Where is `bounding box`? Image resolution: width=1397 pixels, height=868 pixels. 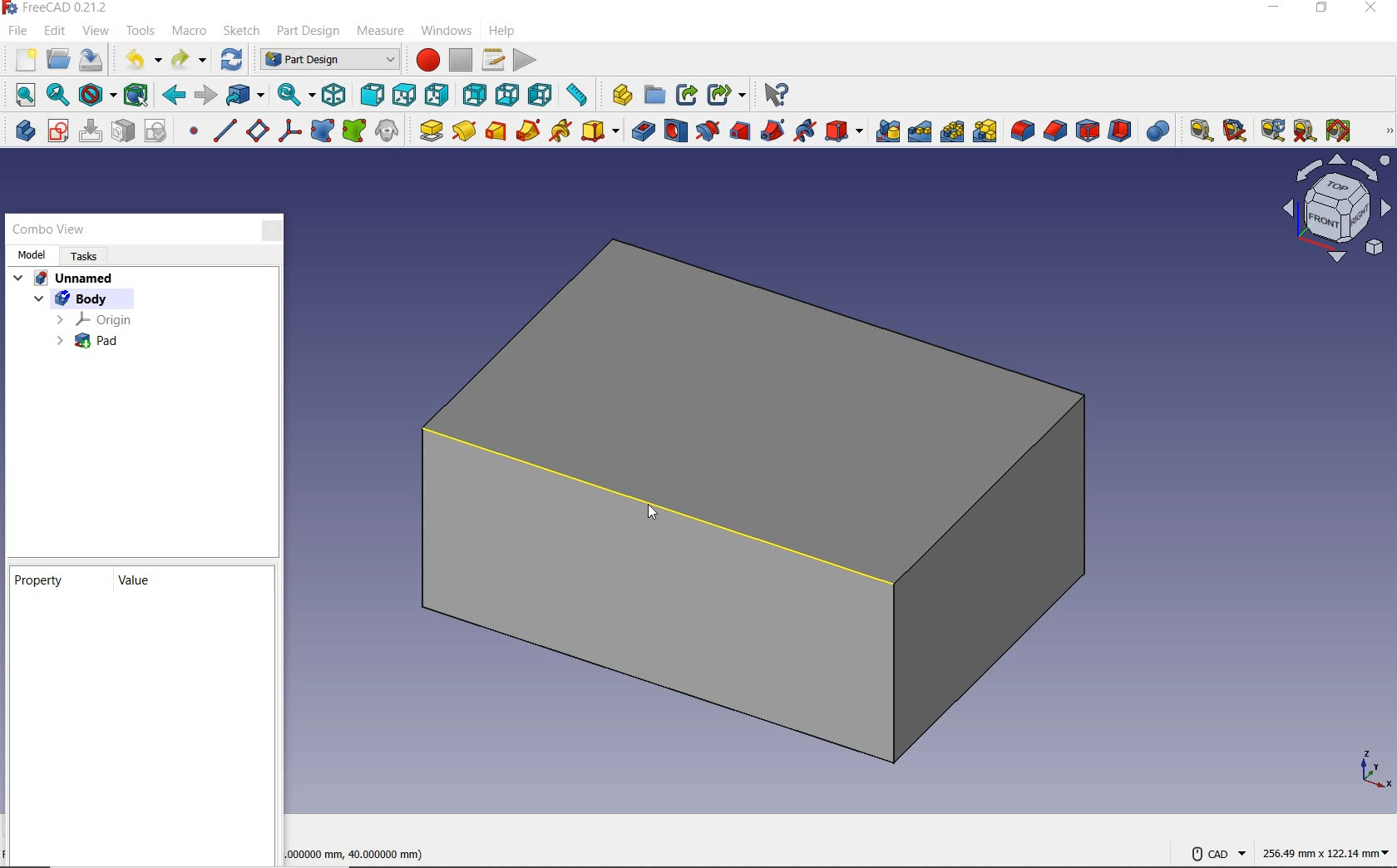
bounding box is located at coordinates (140, 95).